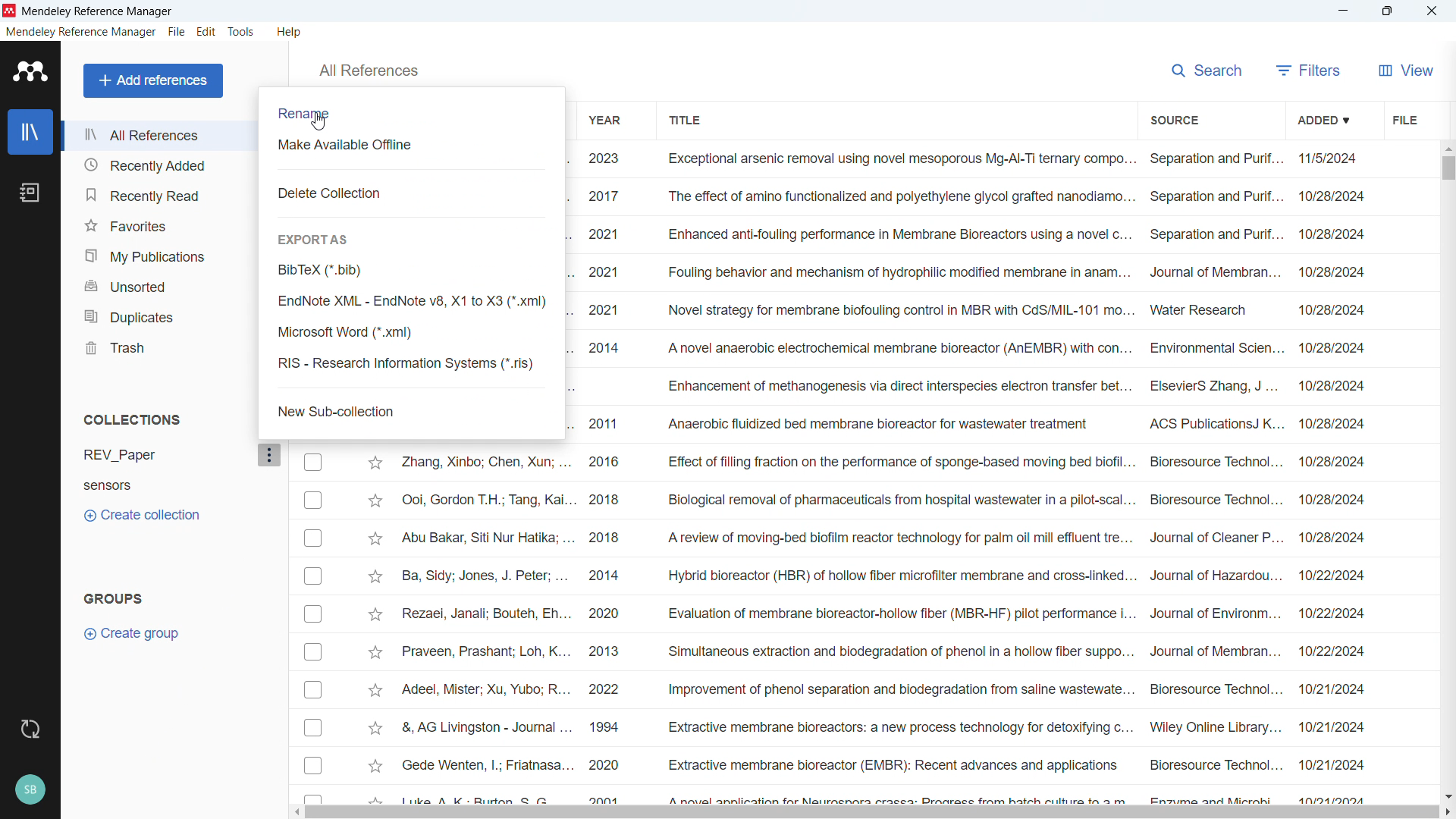  I want to click on Software logo, so click(10, 11).